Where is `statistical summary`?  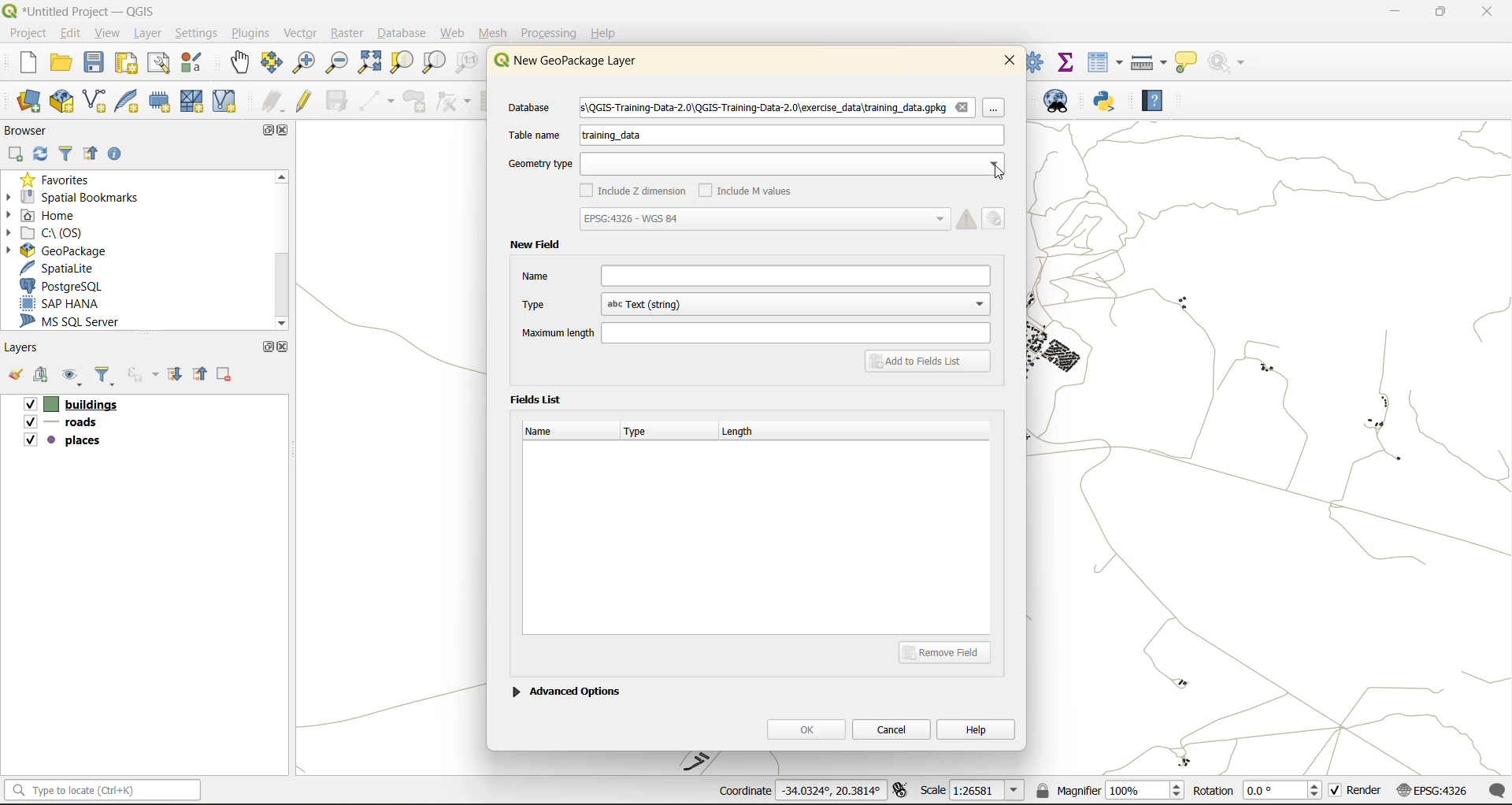
statistical summary is located at coordinates (1067, 61).